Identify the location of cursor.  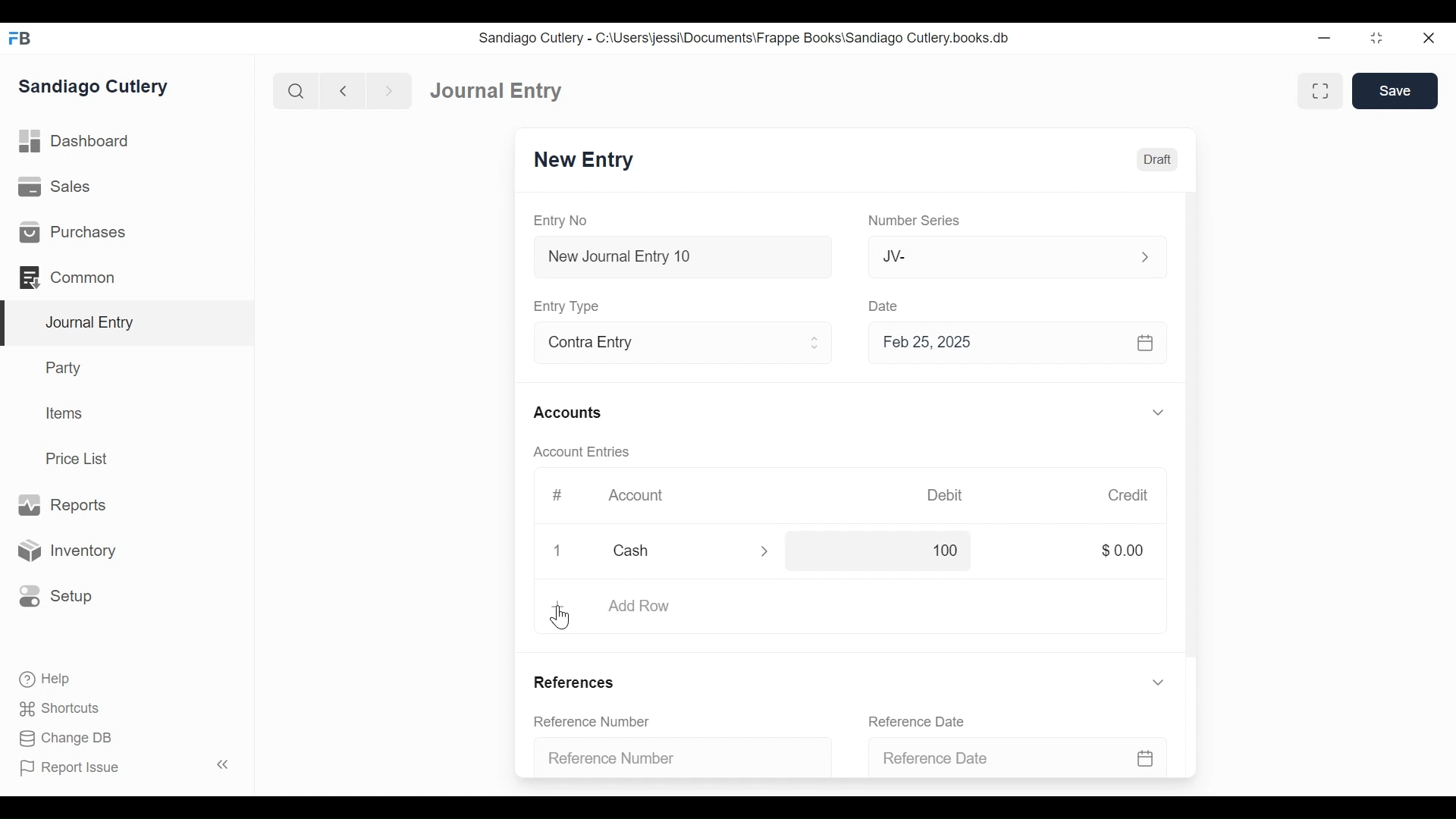
(563, 619).